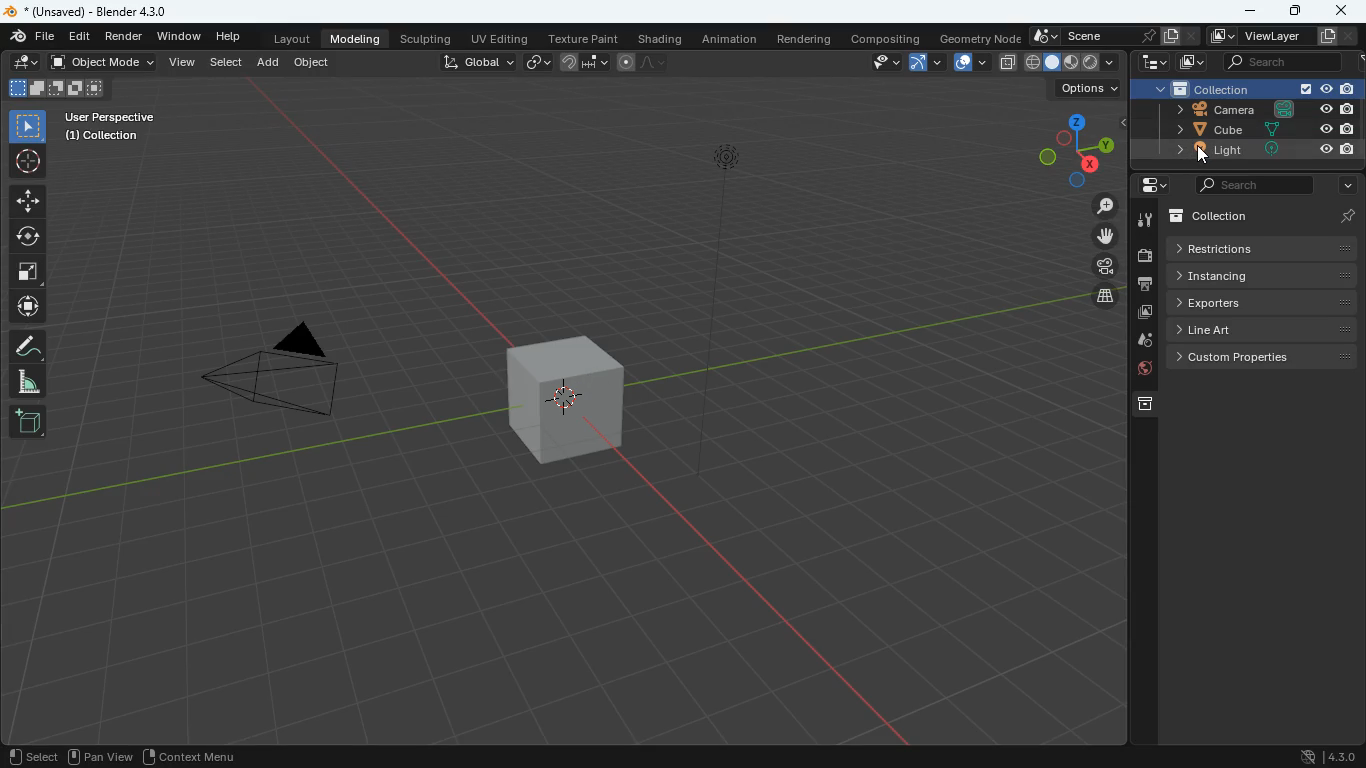 The width and height of the screenshot is (1366, 768). What do you see at coordinates (1106, 236) in the screenshot?
I see `hand` at bounding box center [1106, 236].